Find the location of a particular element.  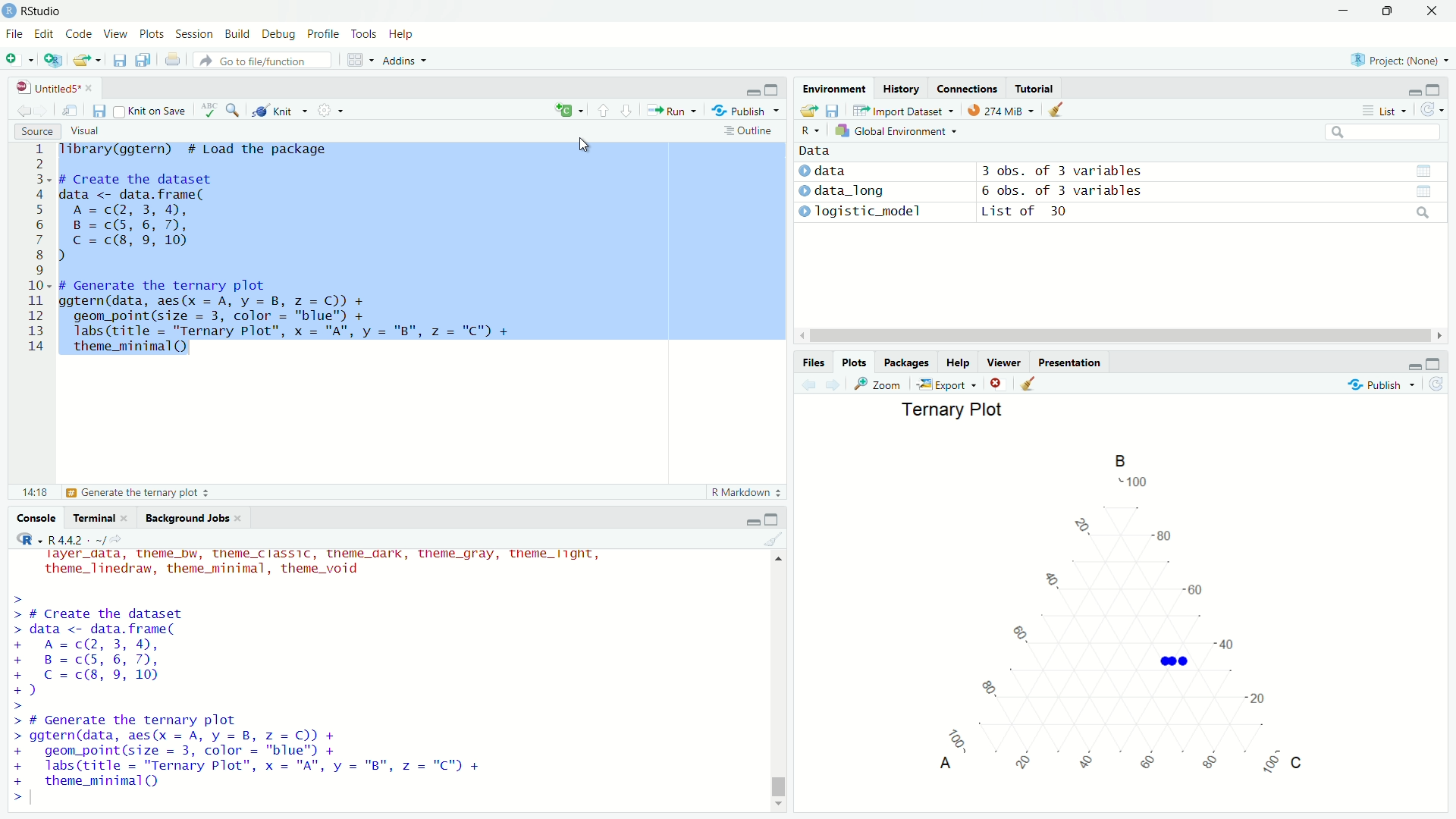

| Project: (None) is located at coordinates (1392, 60).